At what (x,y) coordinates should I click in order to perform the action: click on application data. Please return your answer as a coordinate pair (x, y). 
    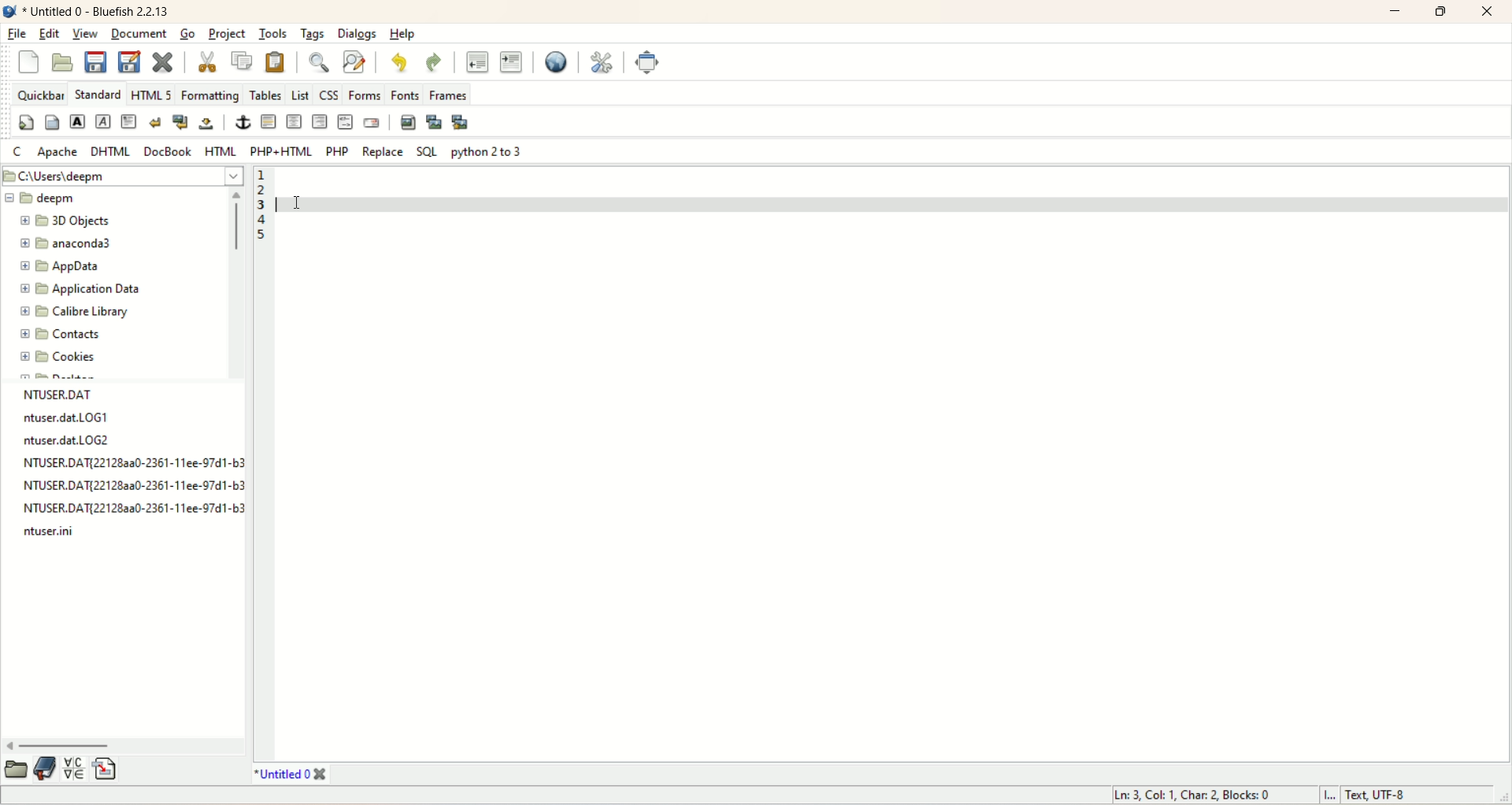
    Looking at the image, I should click on (81, 289).